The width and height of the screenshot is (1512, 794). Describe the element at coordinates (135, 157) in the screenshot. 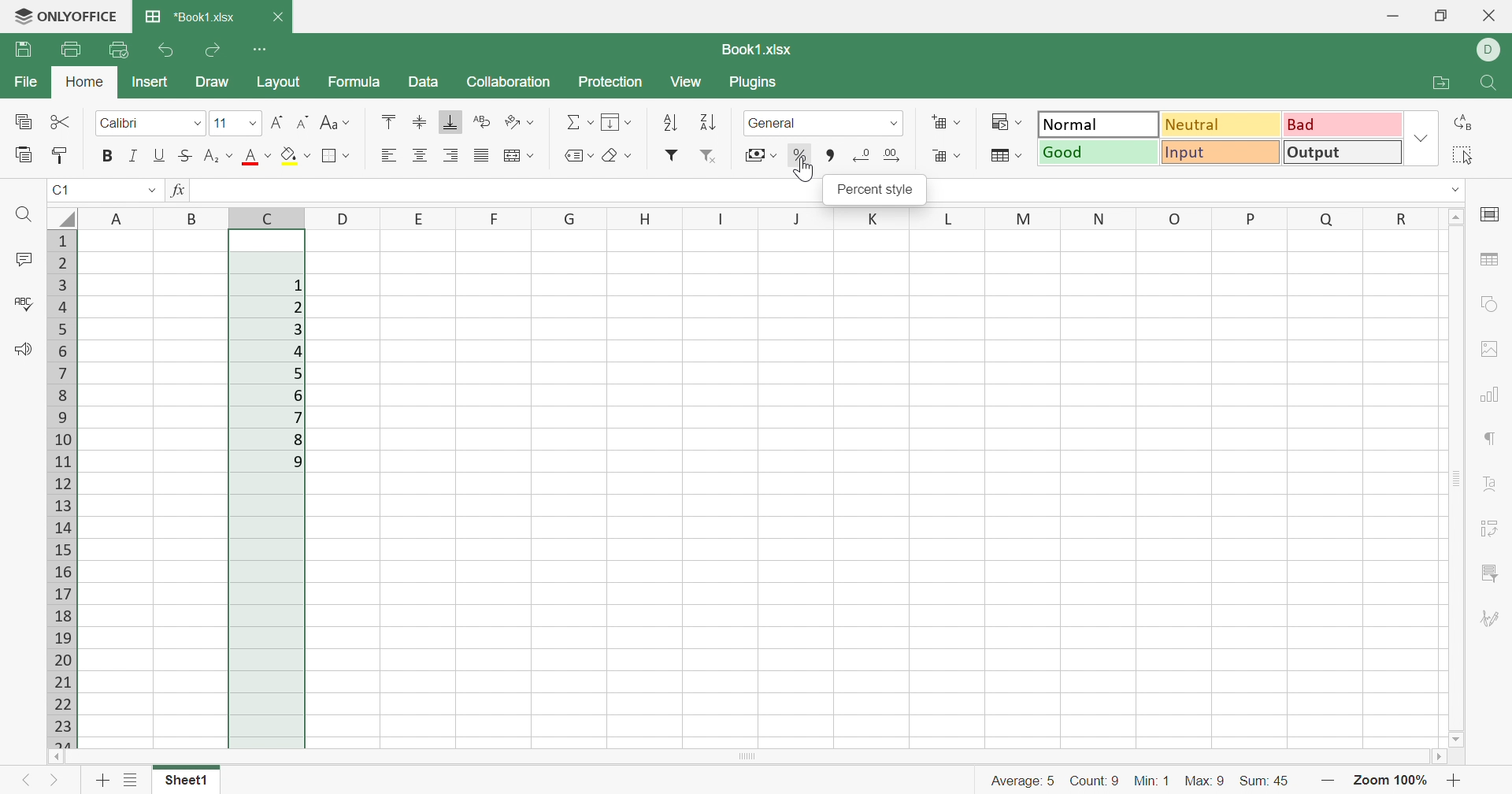

I see `Italic` at that location.